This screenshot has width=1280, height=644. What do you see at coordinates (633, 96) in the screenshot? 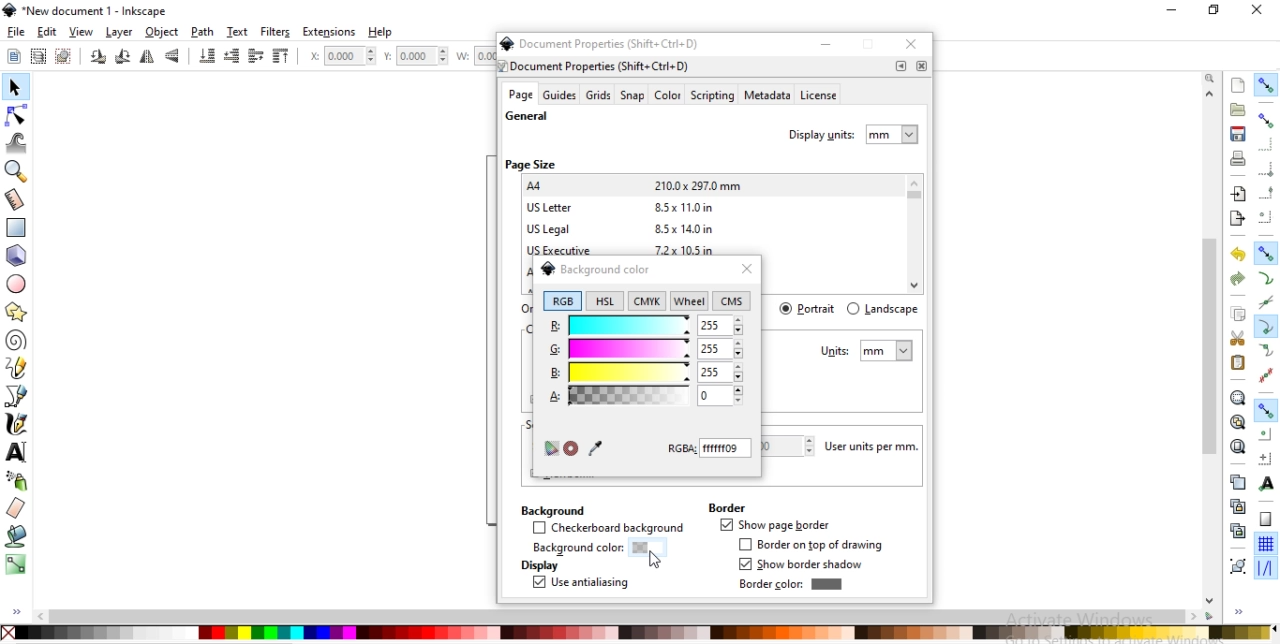
I see `snap` at bounding box center [633, 96].